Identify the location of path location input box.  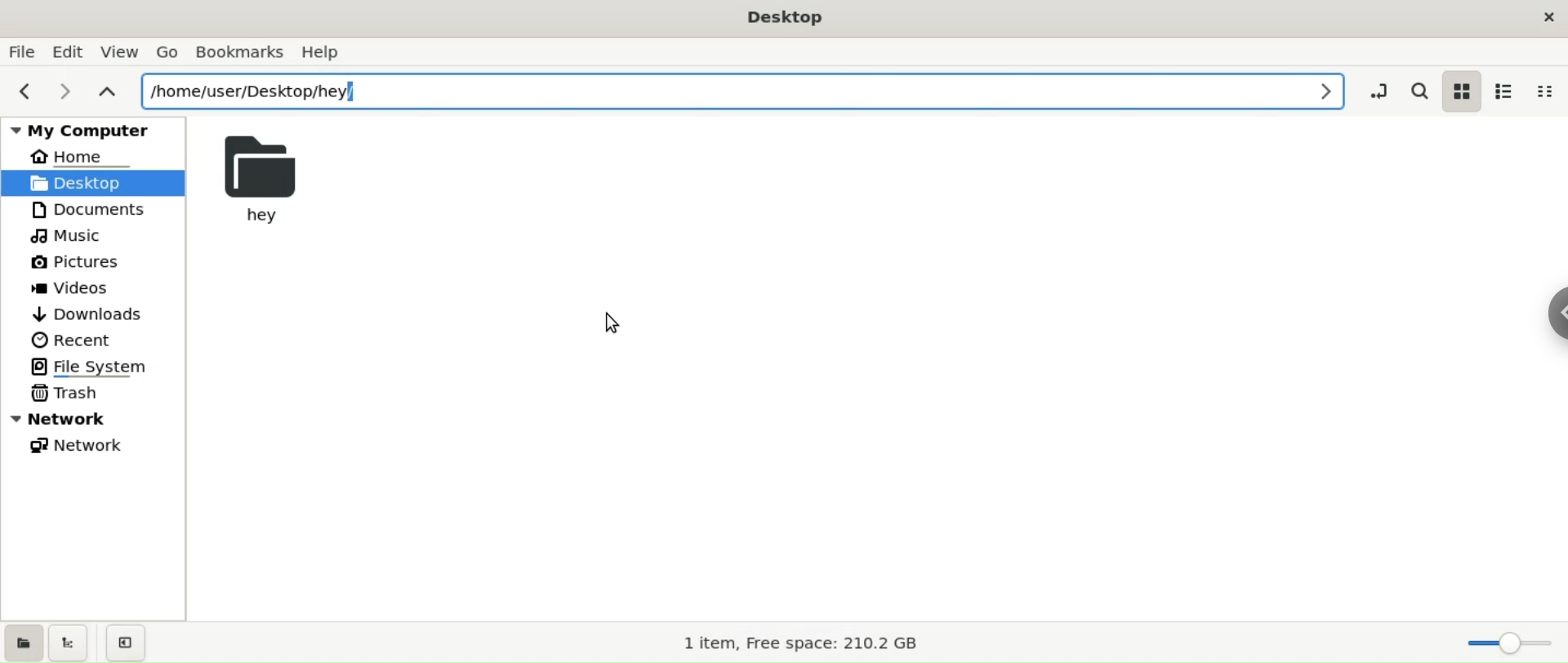
(742, 91).